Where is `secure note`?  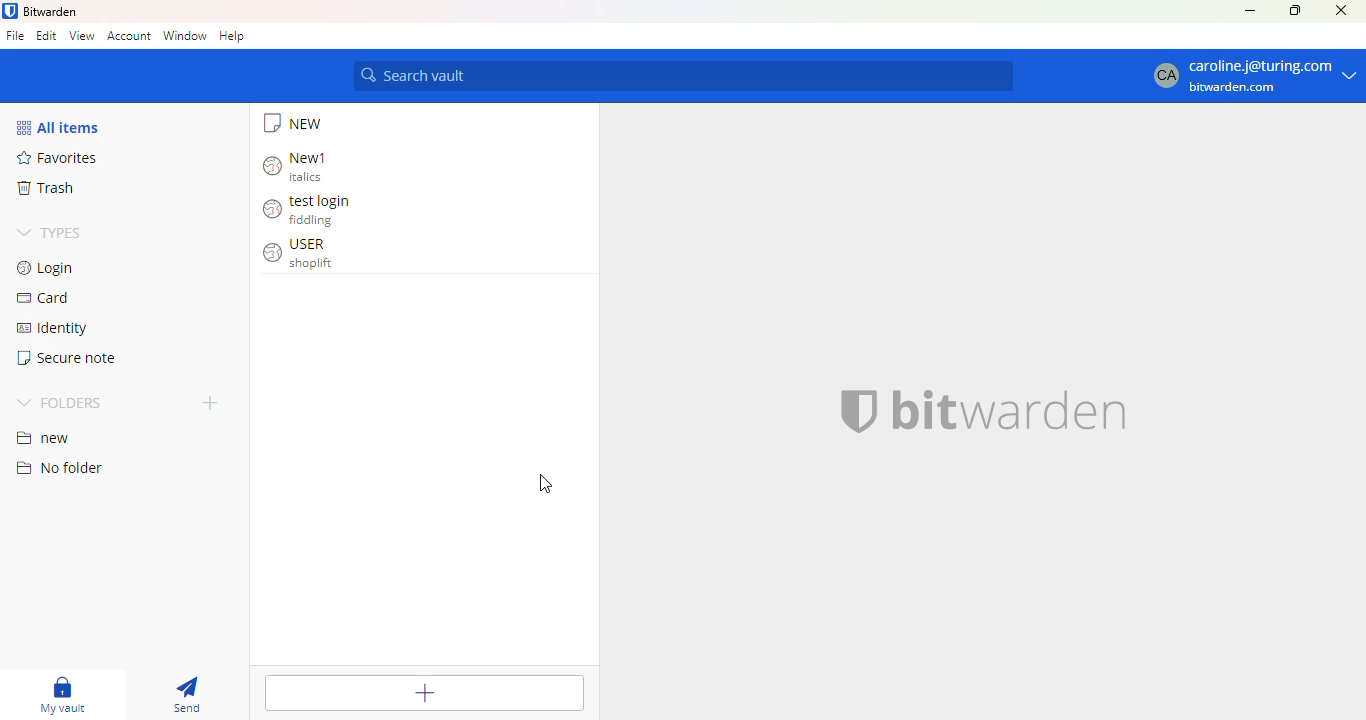
secure note is located at coordinates (66, 358).